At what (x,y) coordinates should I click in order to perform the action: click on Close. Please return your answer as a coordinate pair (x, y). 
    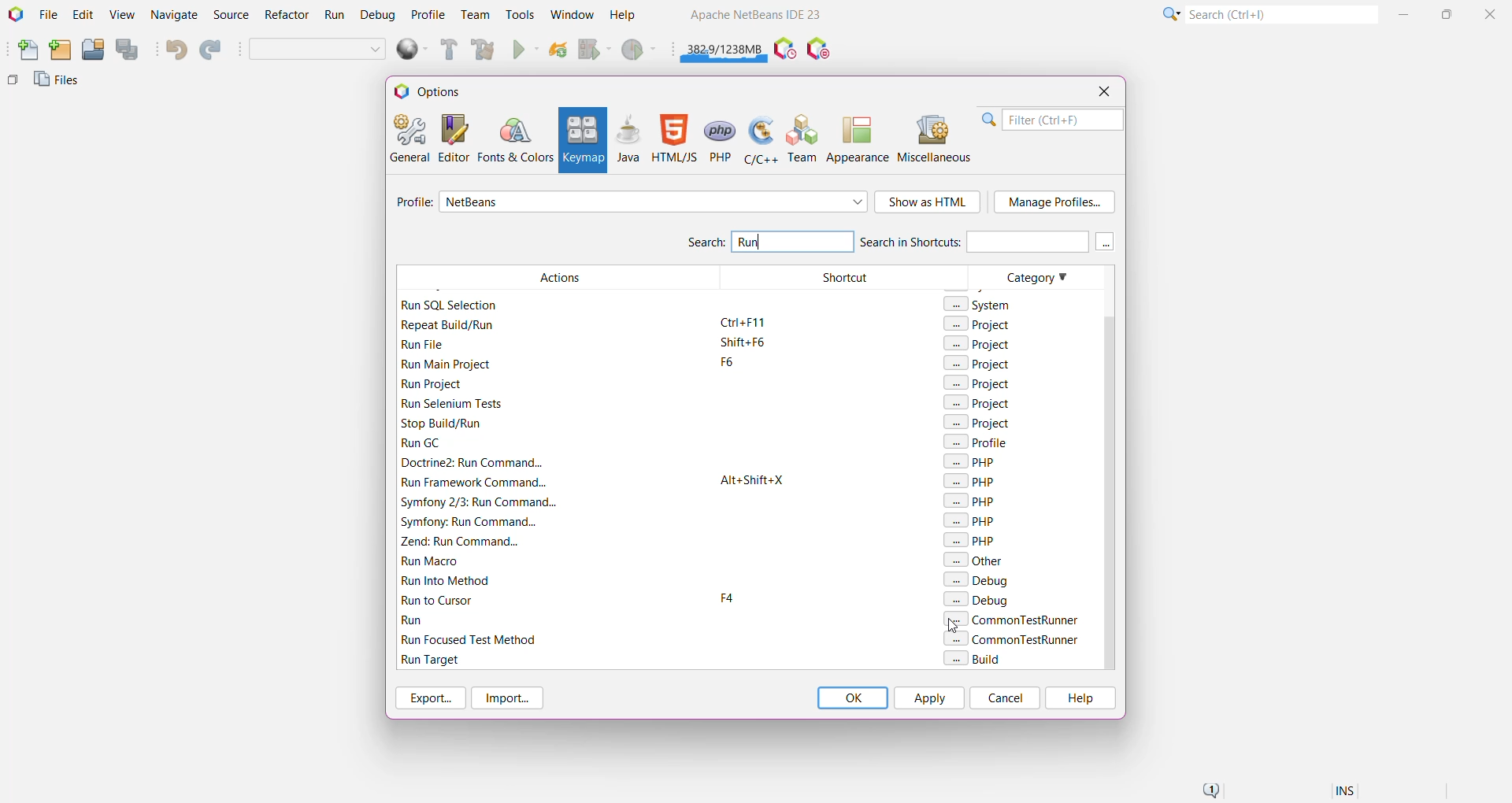
    Looking at the image, I should click on (1492, 13).